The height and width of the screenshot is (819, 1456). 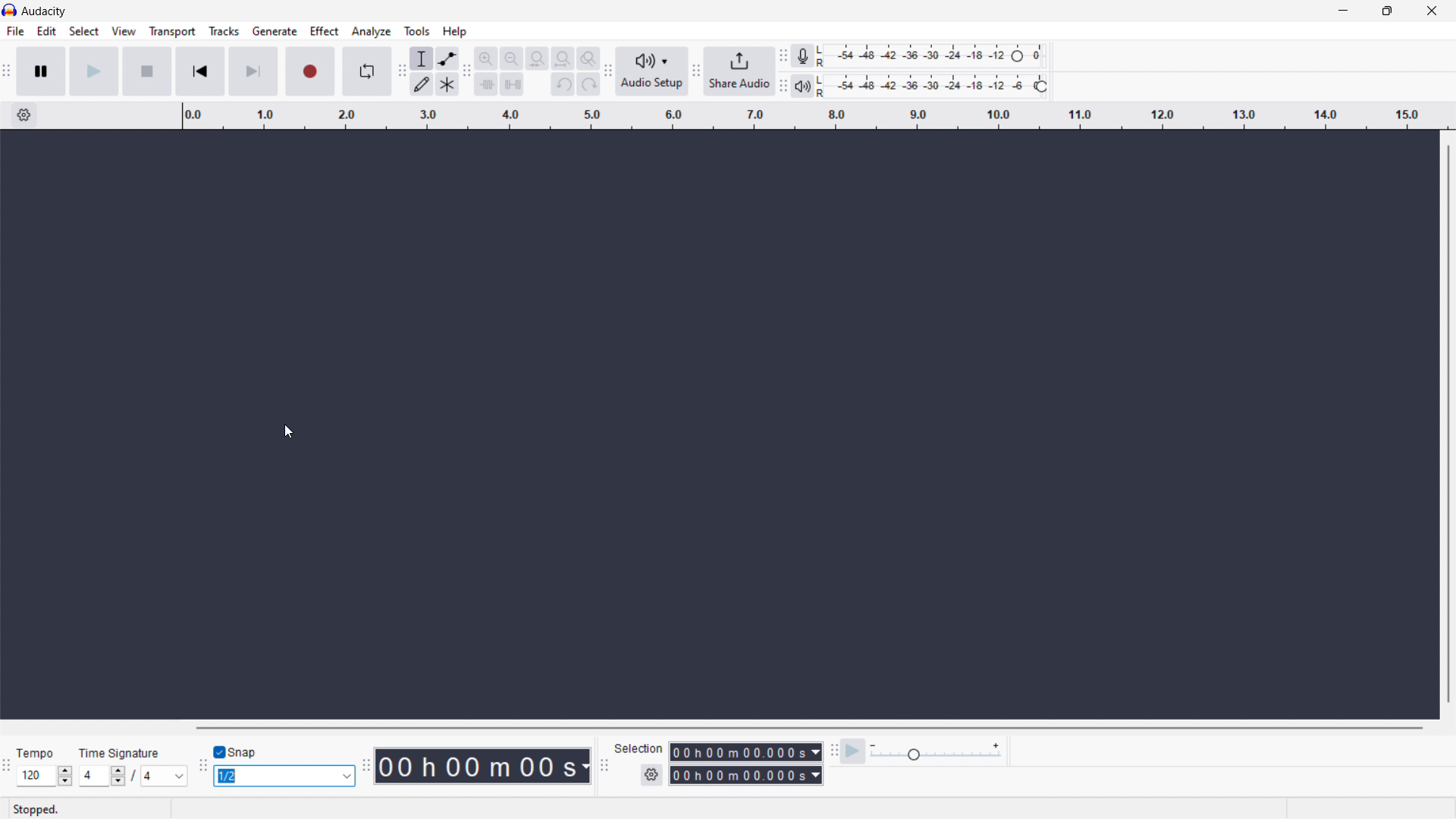 I want to click on set tempo, so click(x=44, y=776).